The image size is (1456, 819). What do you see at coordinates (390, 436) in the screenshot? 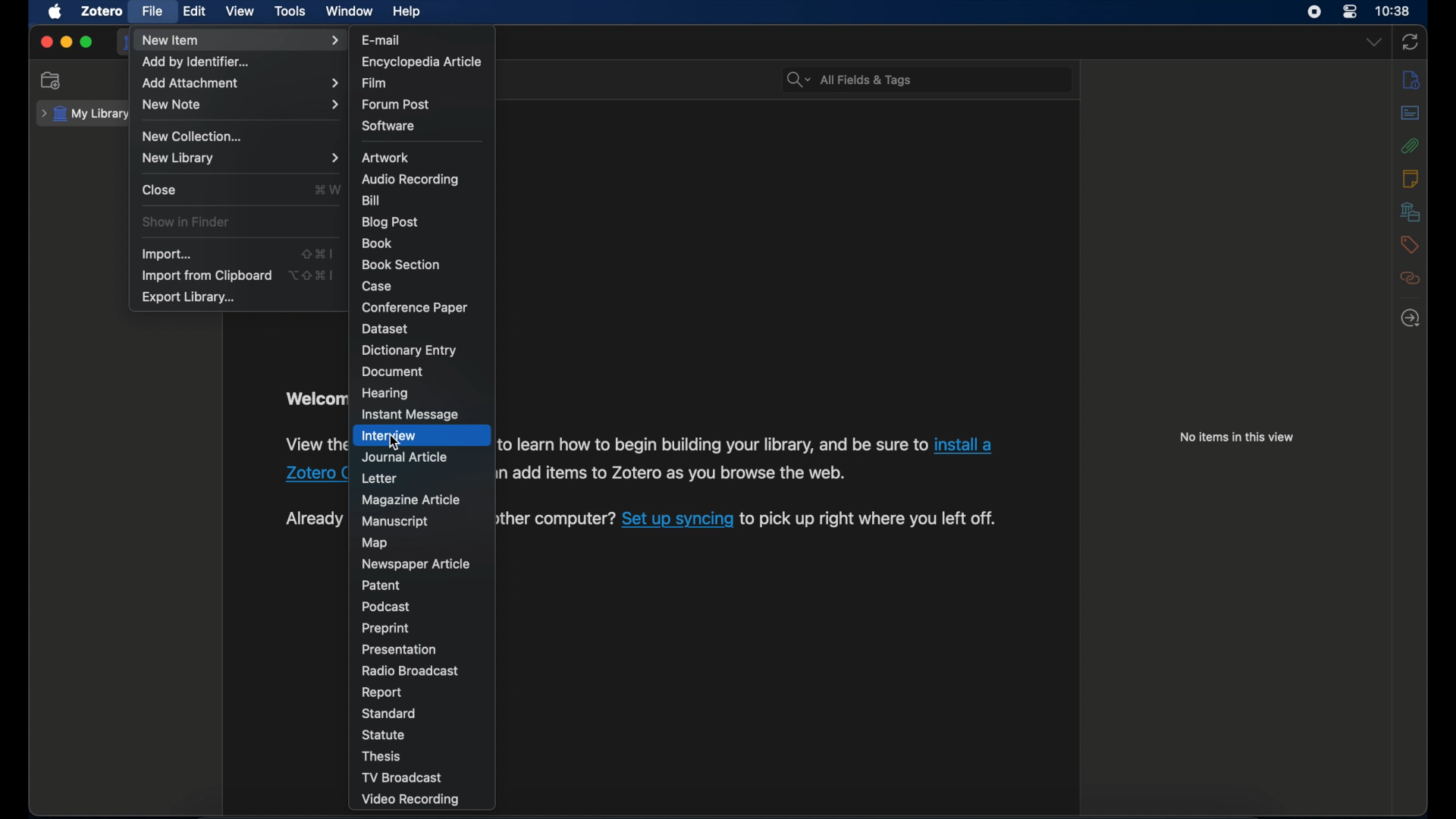
I see `interview` at bounding box center [390, 436].